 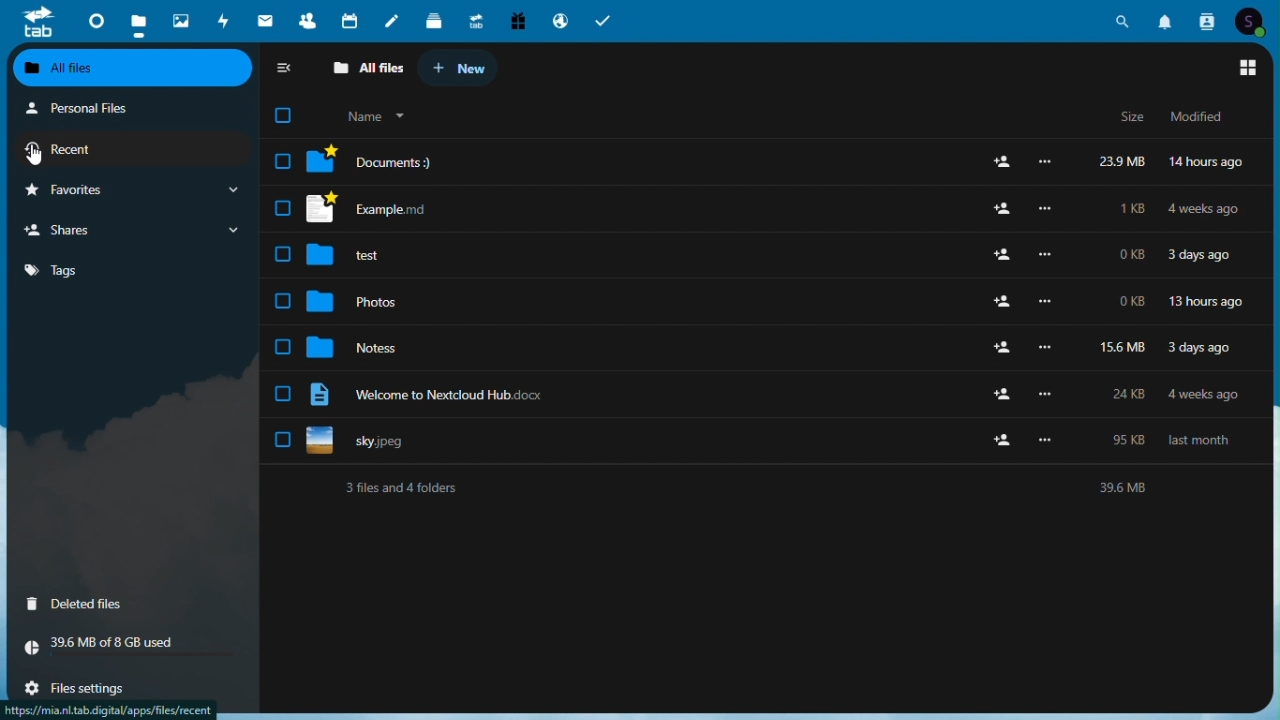 I want to click on files, so click(x=138, y=20).